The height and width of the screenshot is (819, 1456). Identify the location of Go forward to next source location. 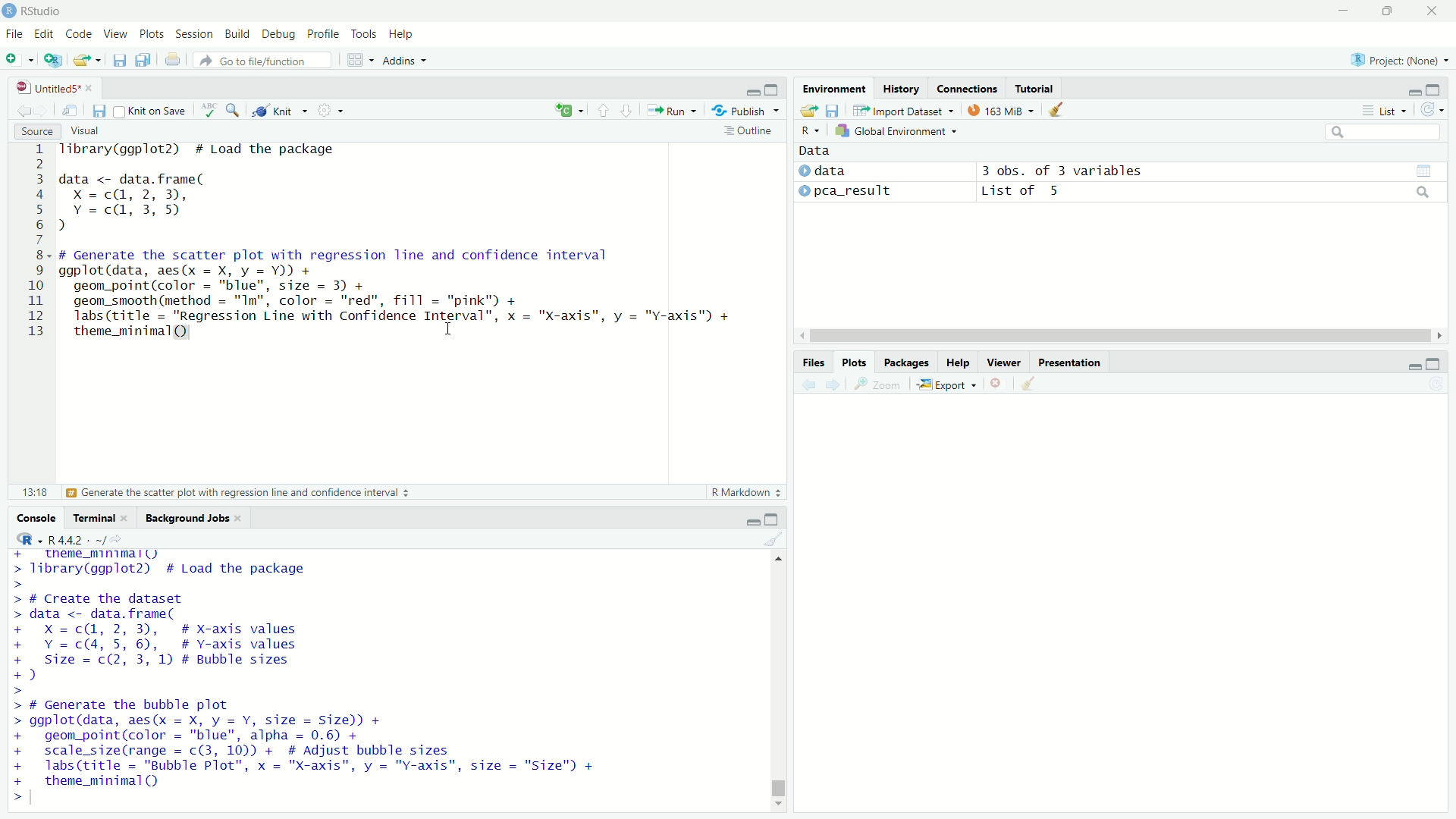
(42, 111).